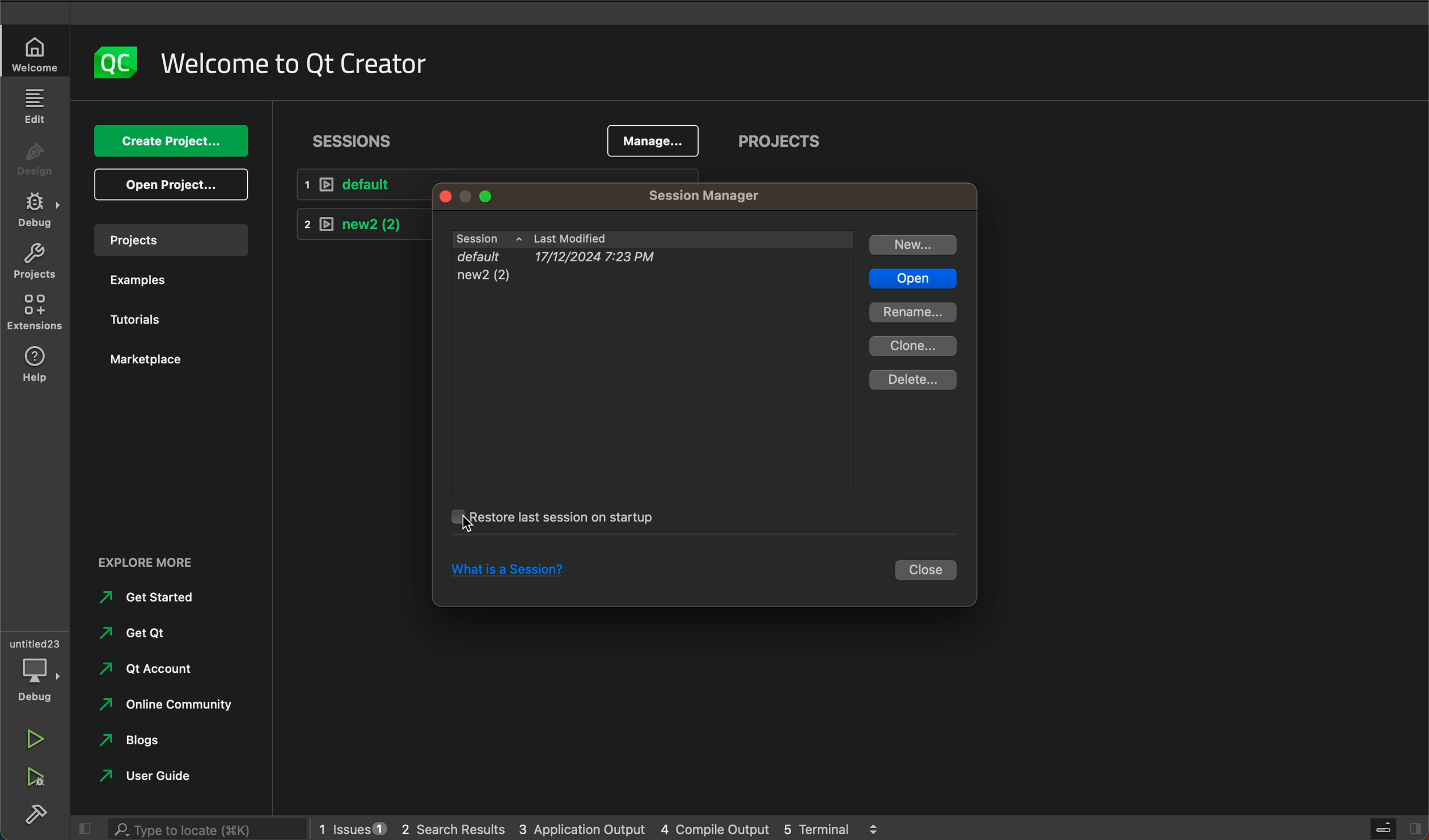 The image size is (1429, 840). What do you see at coordinates (480, 196) in the screenshot?
I see `window tags` at bounding box center [480, 196].